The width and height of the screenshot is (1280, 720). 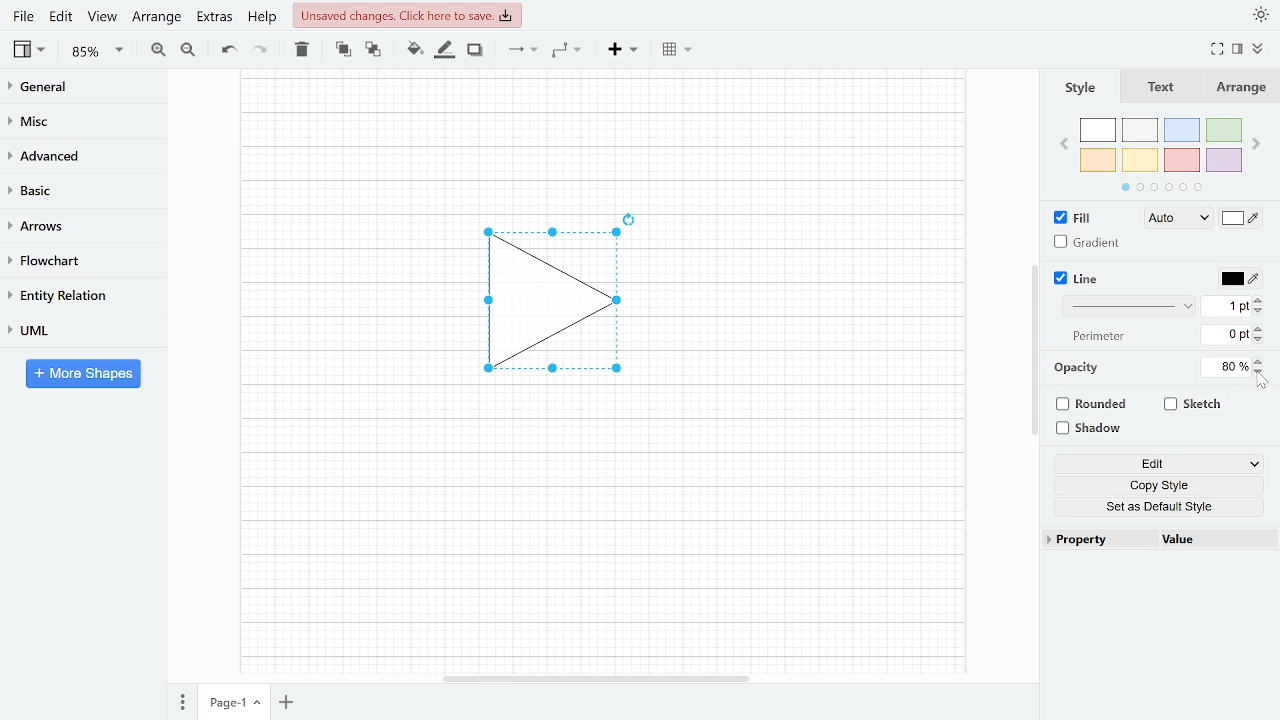 What do you see at coordinates (181, 704) in the screenshot?
I see `Pages` at bounding box center [181, 704].